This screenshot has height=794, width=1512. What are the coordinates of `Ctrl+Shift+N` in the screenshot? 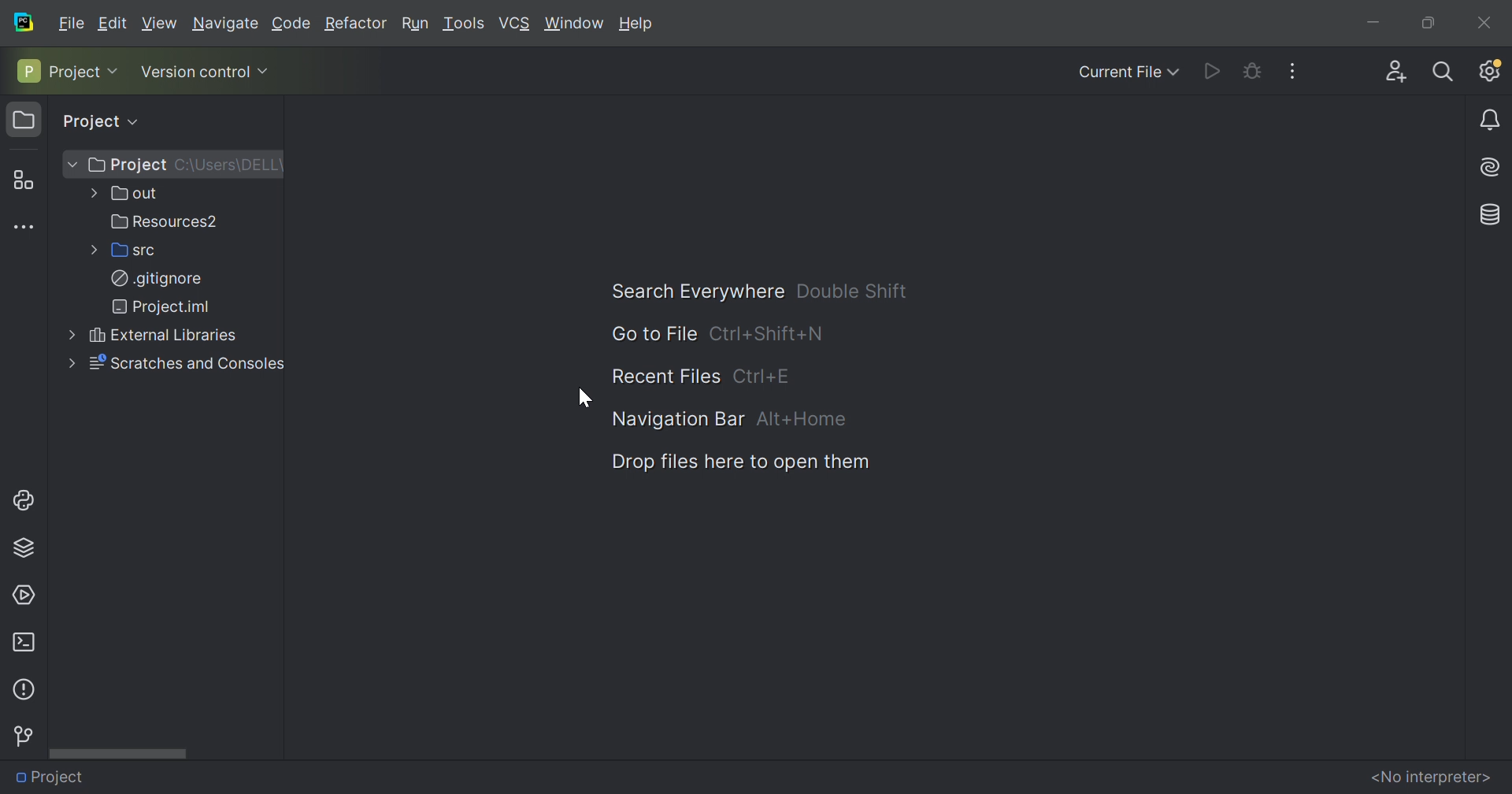 It's located at (771, 333).